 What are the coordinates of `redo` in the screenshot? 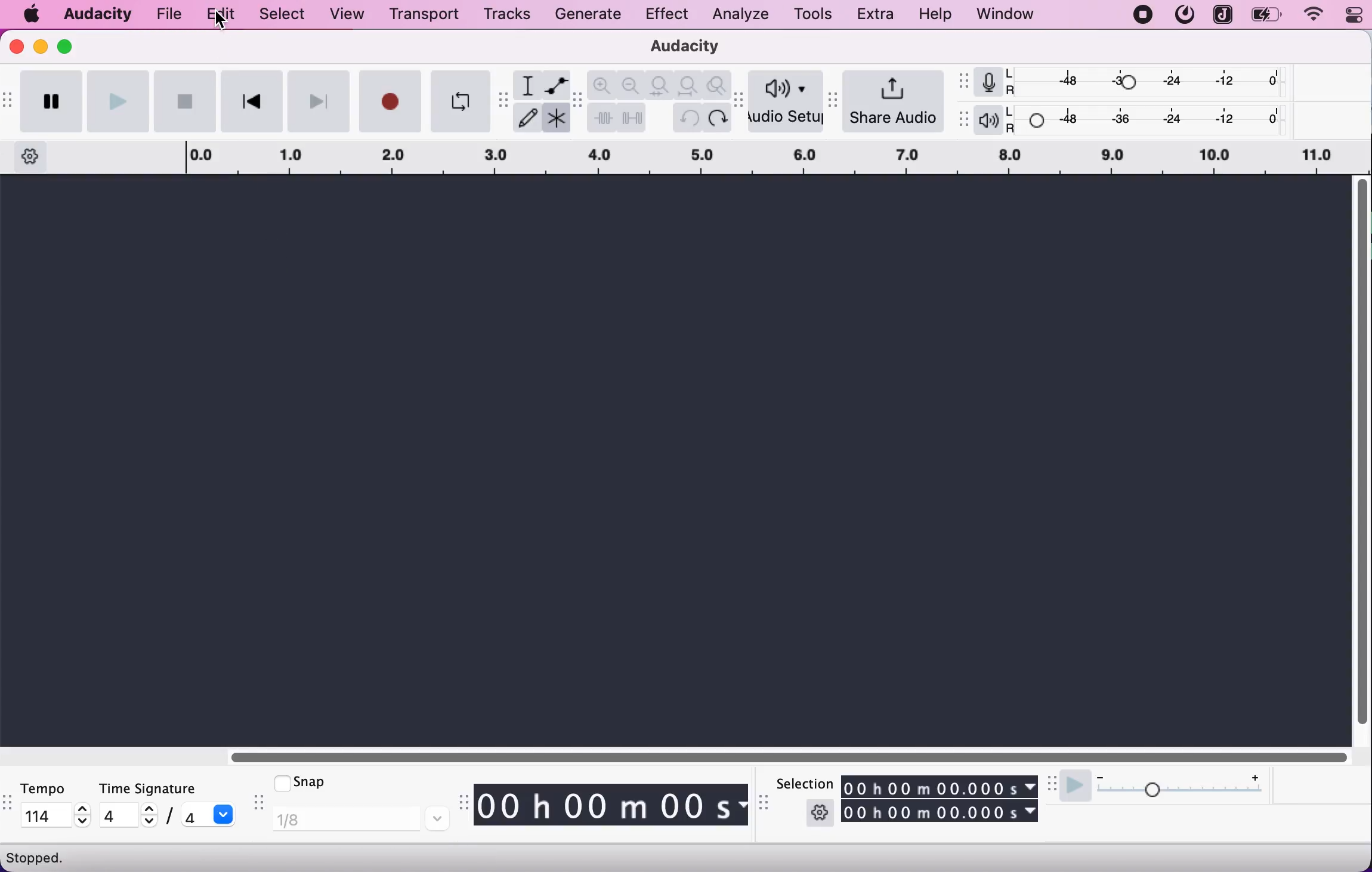 It's located at (717, 120).